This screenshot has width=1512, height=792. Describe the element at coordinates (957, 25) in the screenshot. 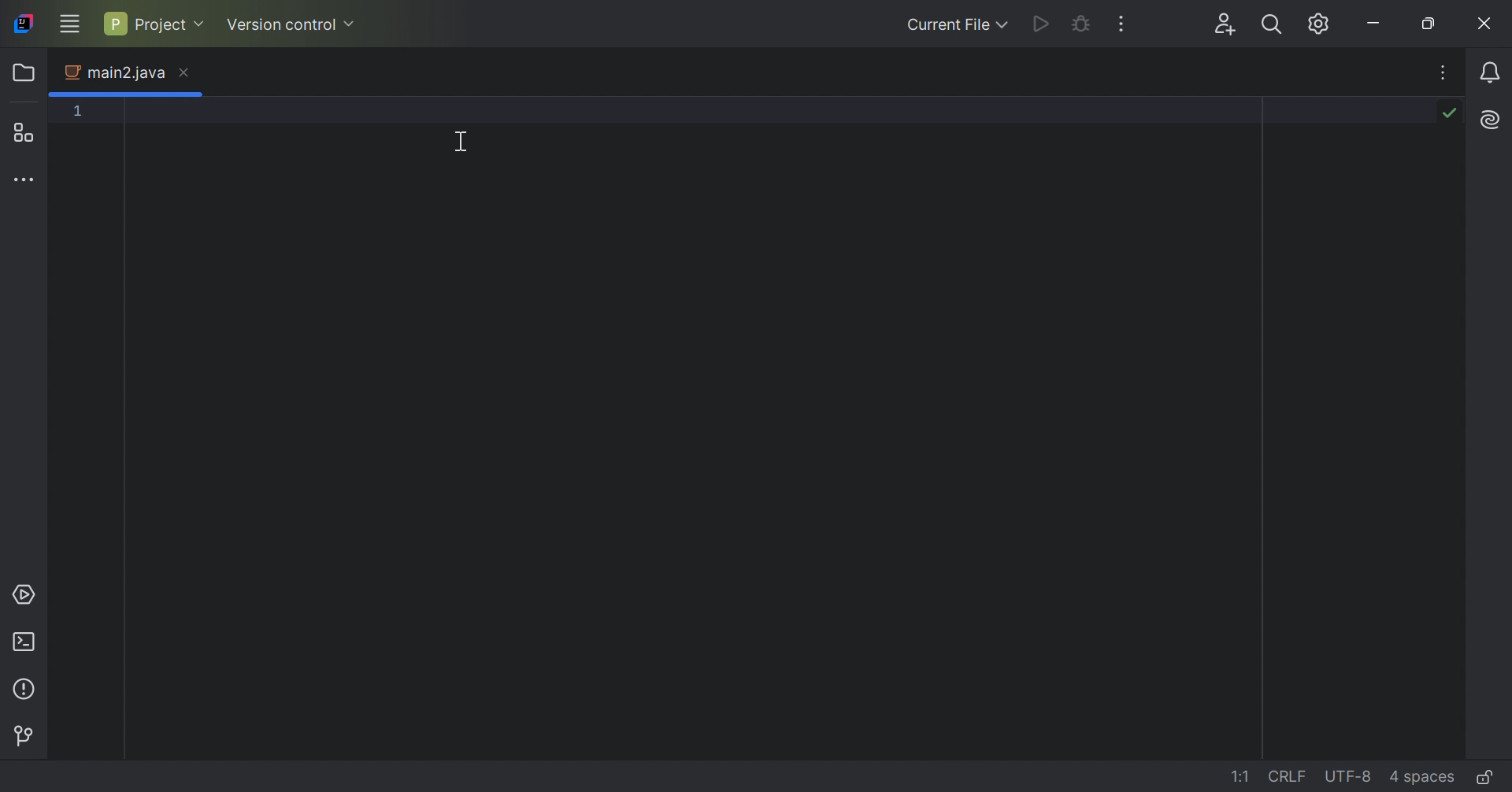

I see `Current File` at that location.